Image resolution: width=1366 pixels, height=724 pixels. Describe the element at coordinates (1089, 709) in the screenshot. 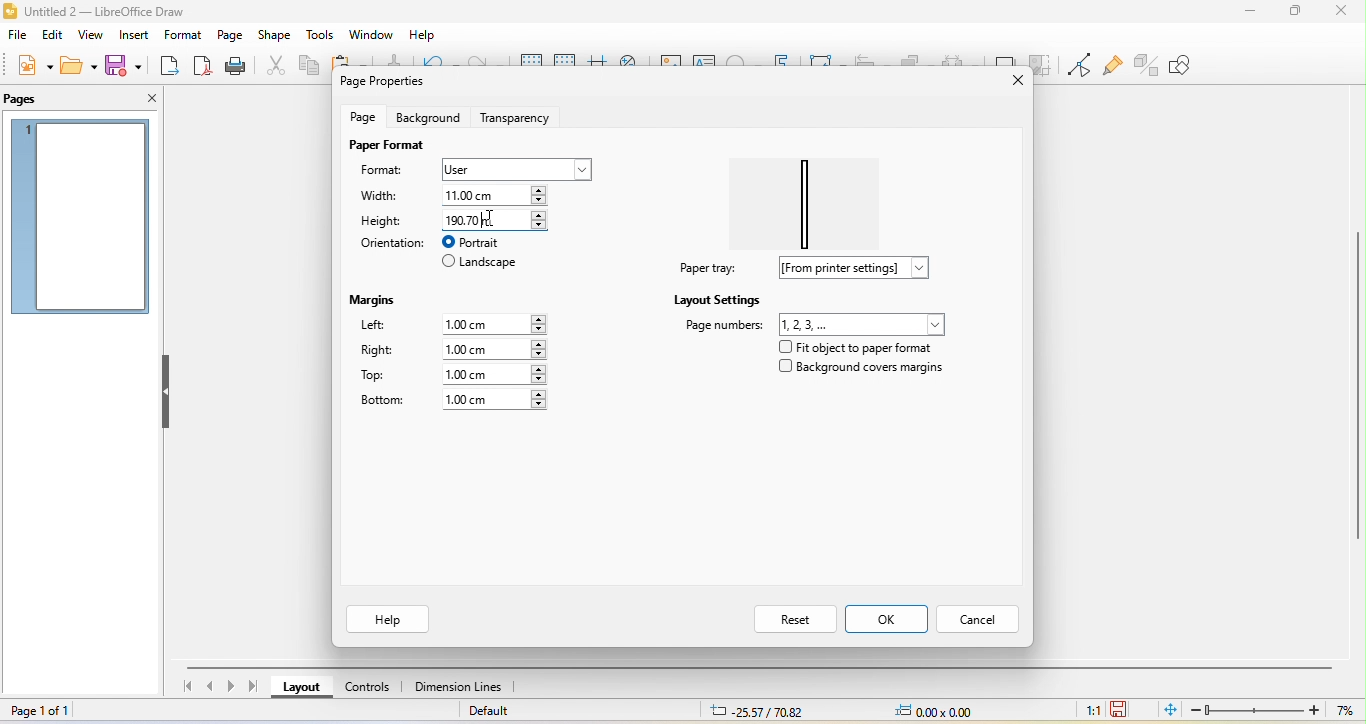

I see `1:1` at that location.